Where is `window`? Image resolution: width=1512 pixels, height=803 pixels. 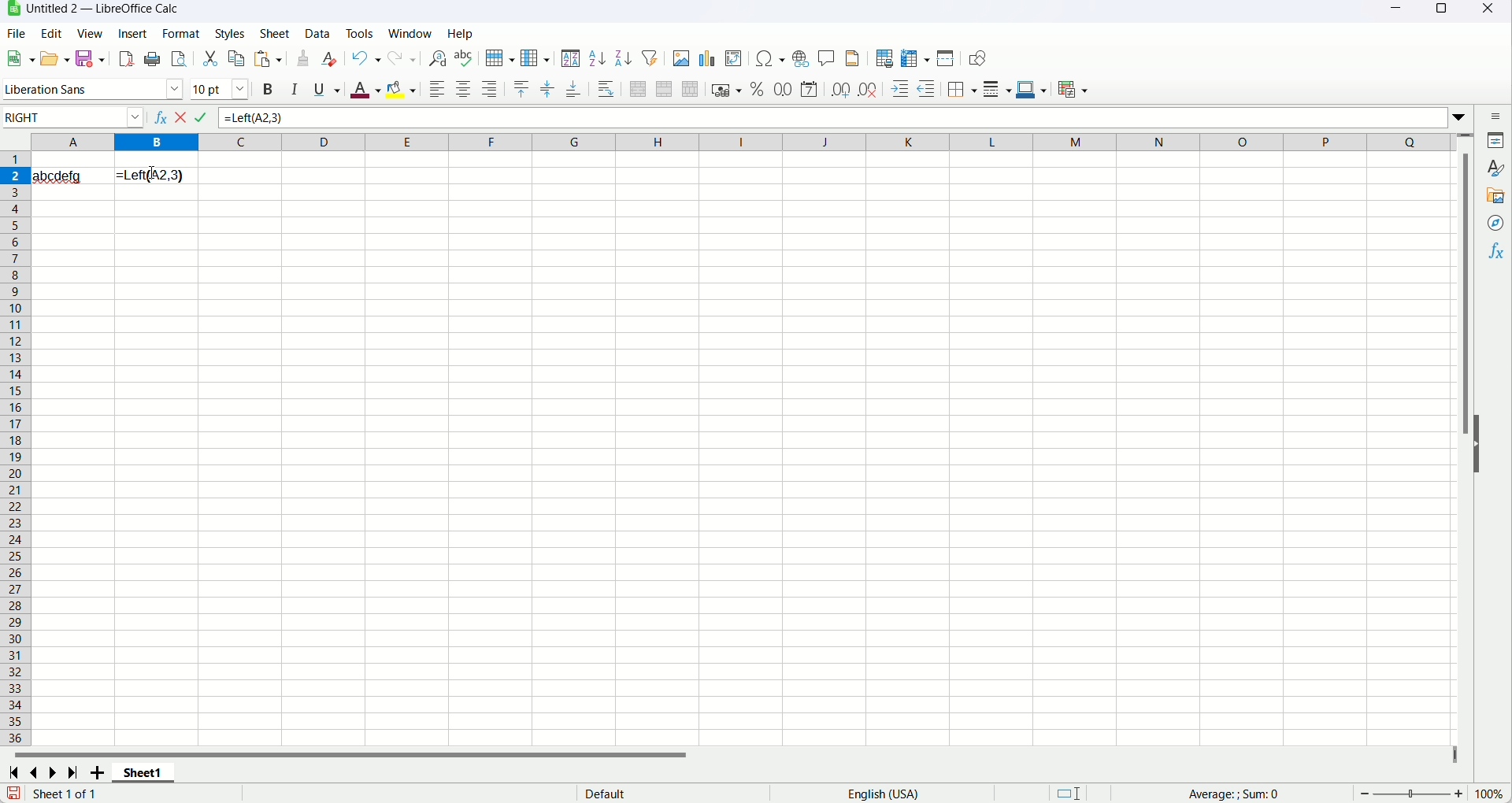
window is located at coordinates (409, 34).